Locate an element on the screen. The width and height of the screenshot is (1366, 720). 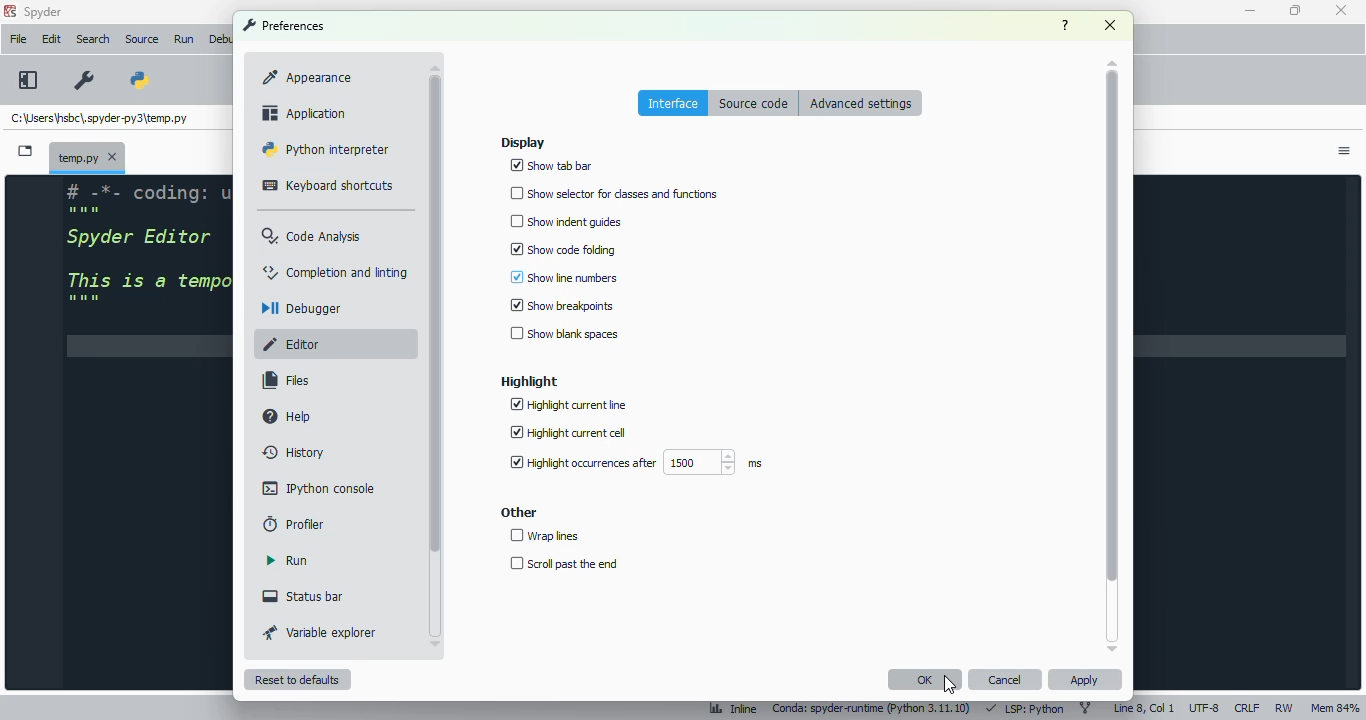
show breakpoints is located at coordinates (562, 305).